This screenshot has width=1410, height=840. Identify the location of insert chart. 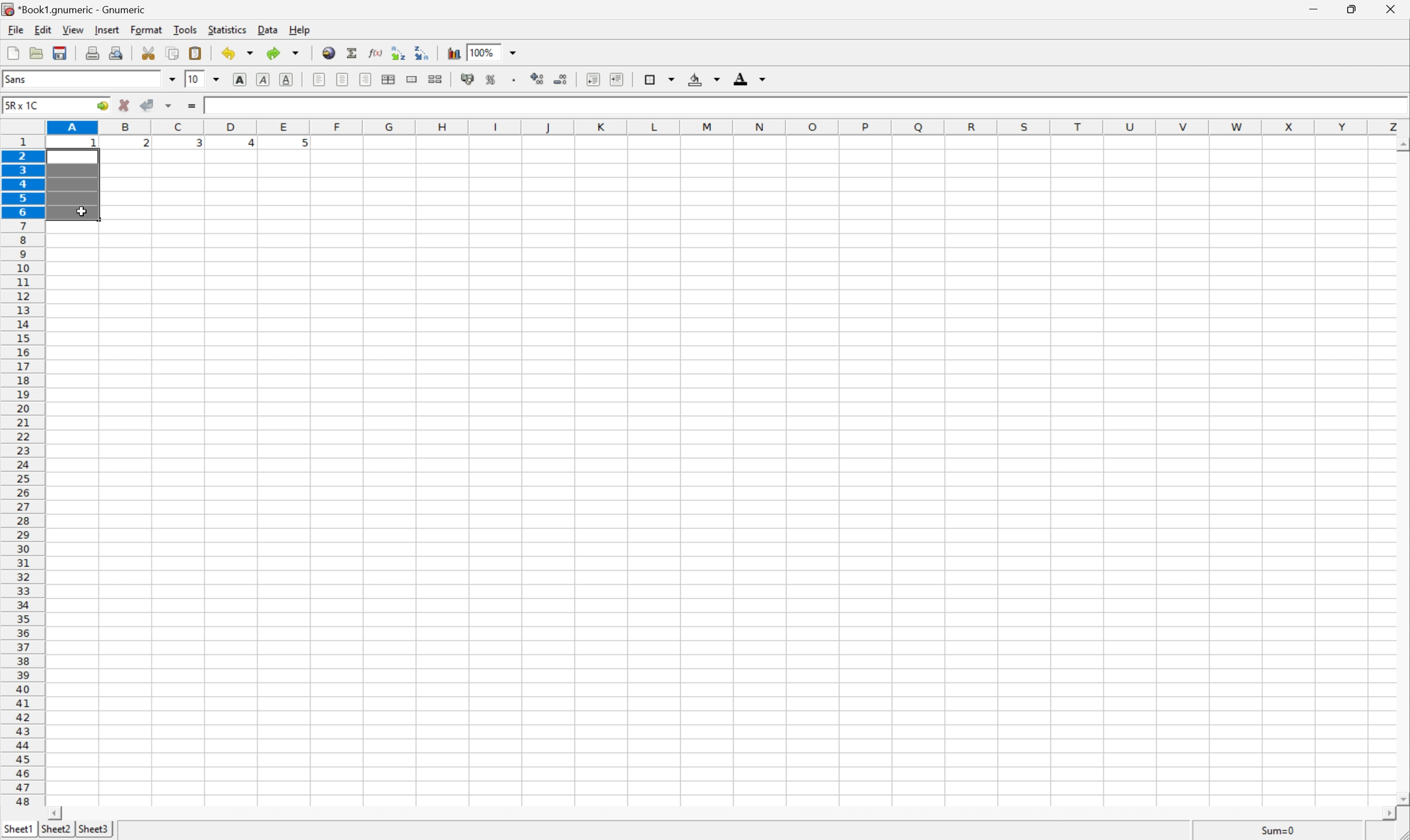
(454, 53).